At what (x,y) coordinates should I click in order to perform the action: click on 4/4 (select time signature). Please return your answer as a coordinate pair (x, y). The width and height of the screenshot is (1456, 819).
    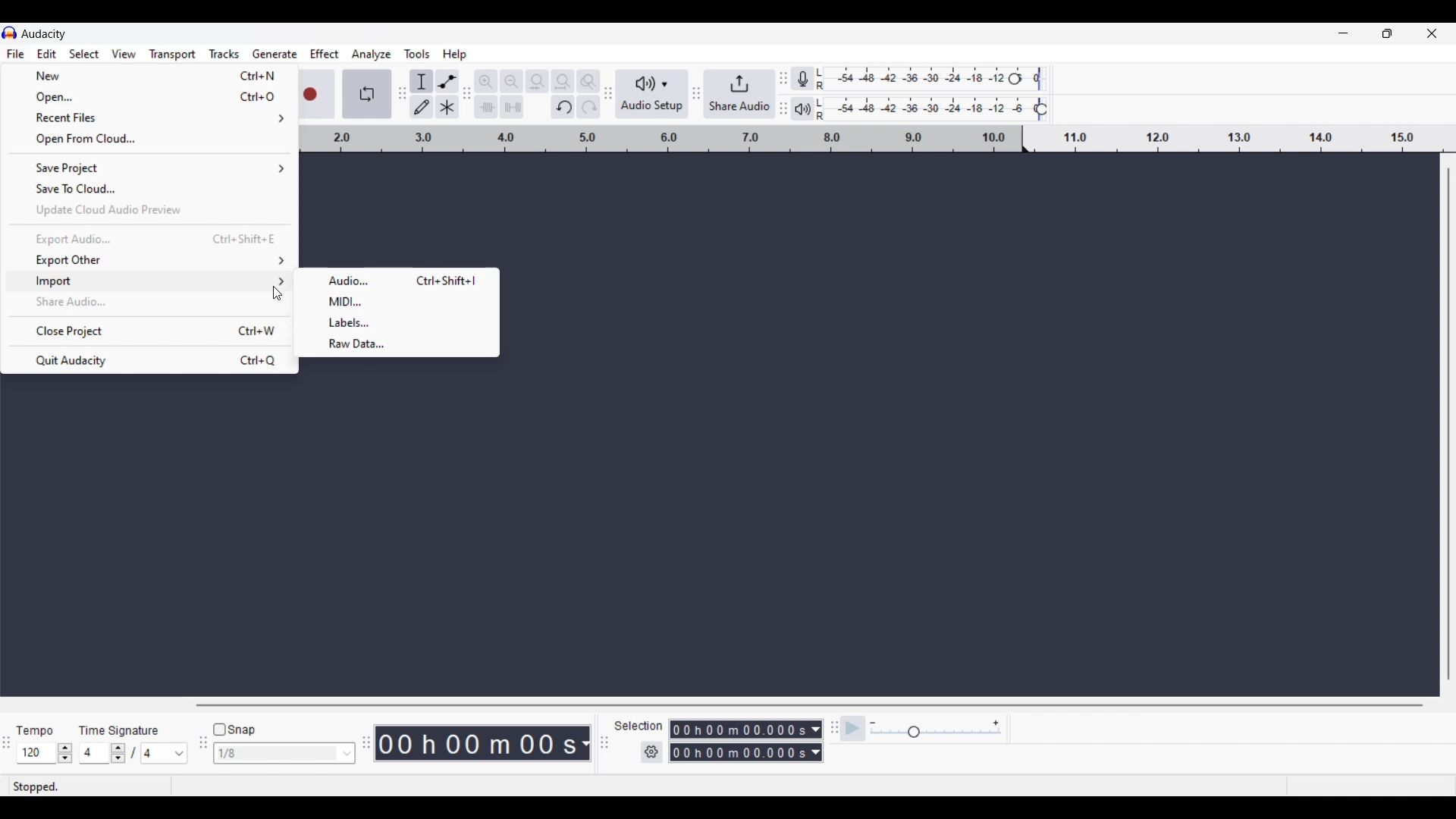
    Looking at the image, I should click on (133, 753).